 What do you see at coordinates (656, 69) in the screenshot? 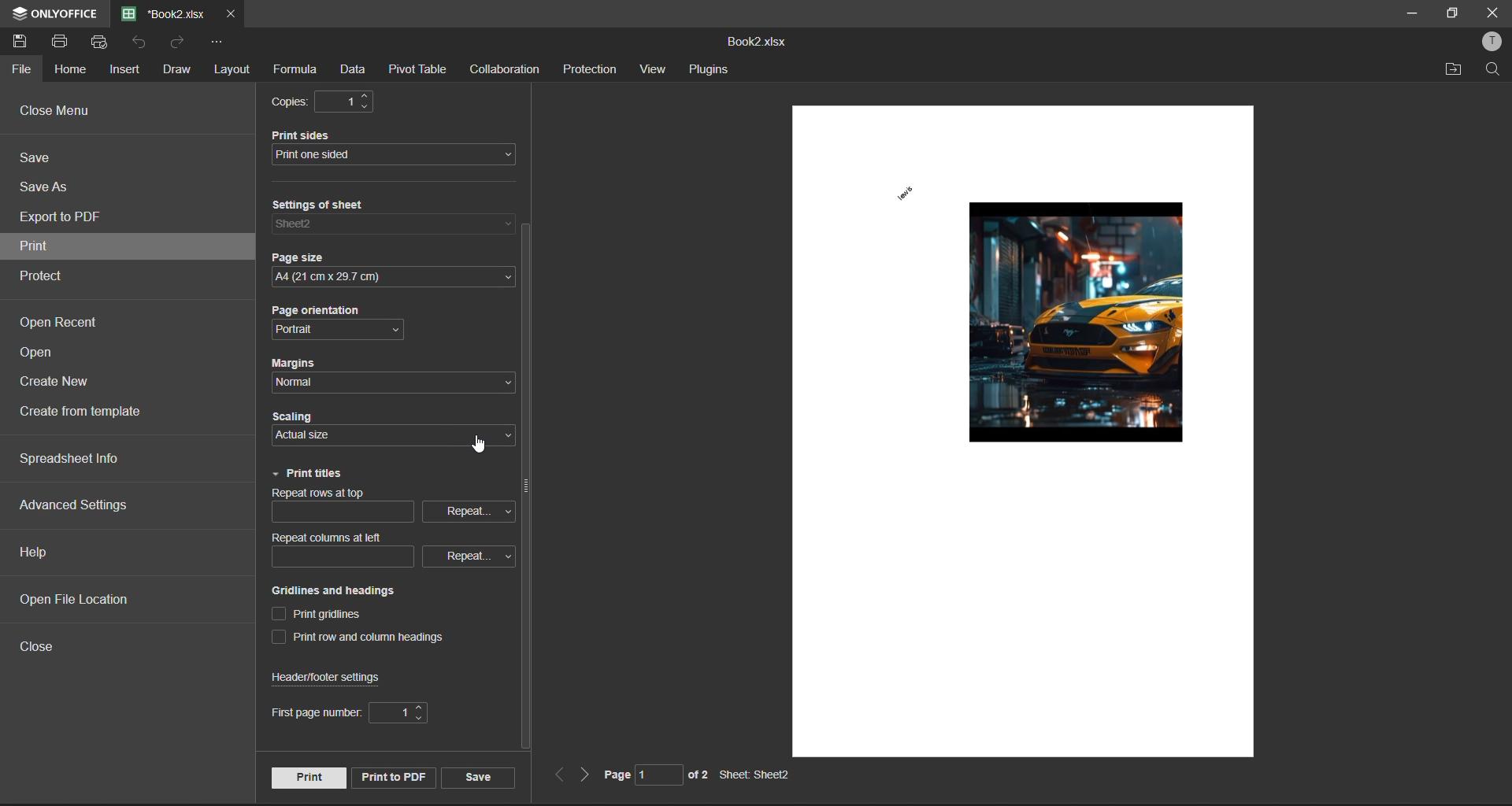
I see `view` at bounding box center [656, 69].